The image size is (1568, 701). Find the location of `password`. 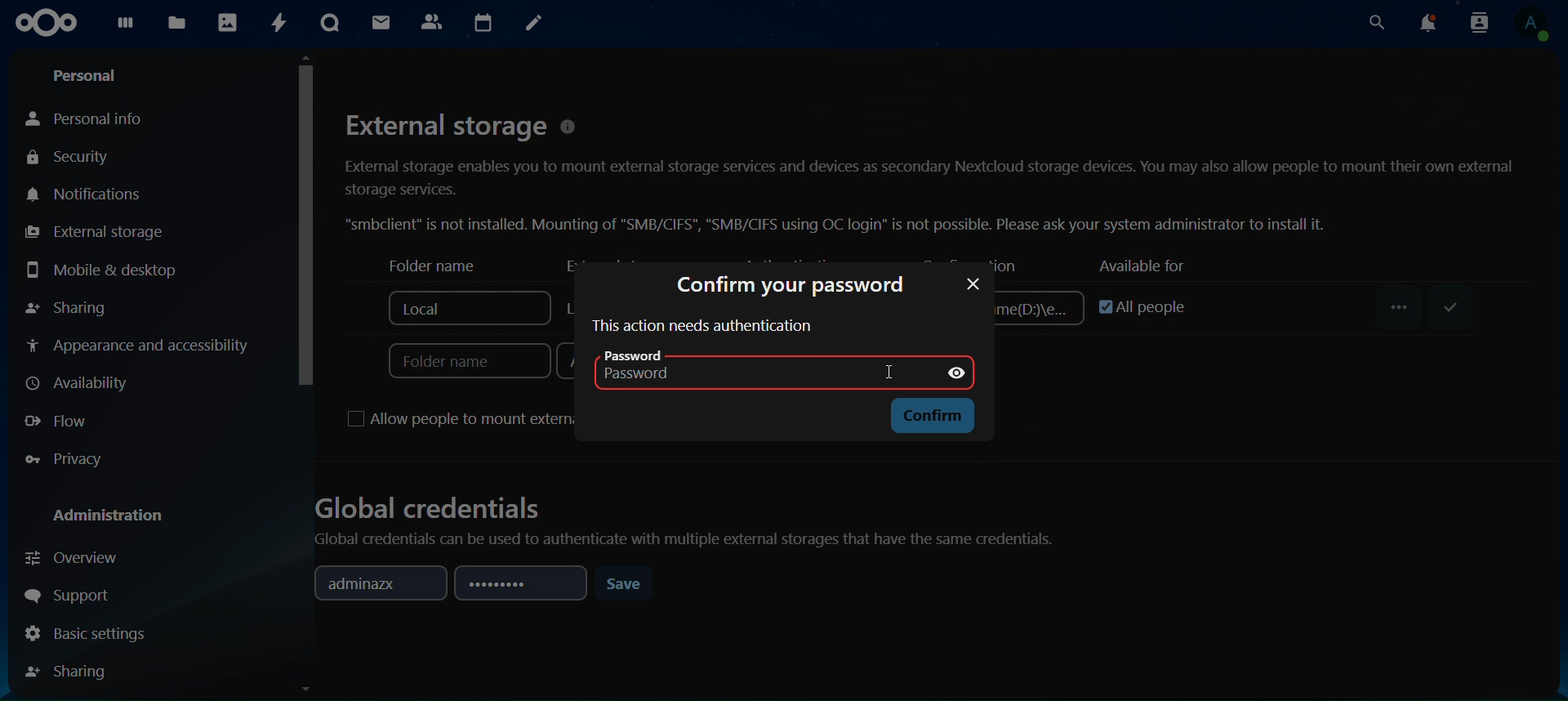

password is located at coordinates (972, 284).